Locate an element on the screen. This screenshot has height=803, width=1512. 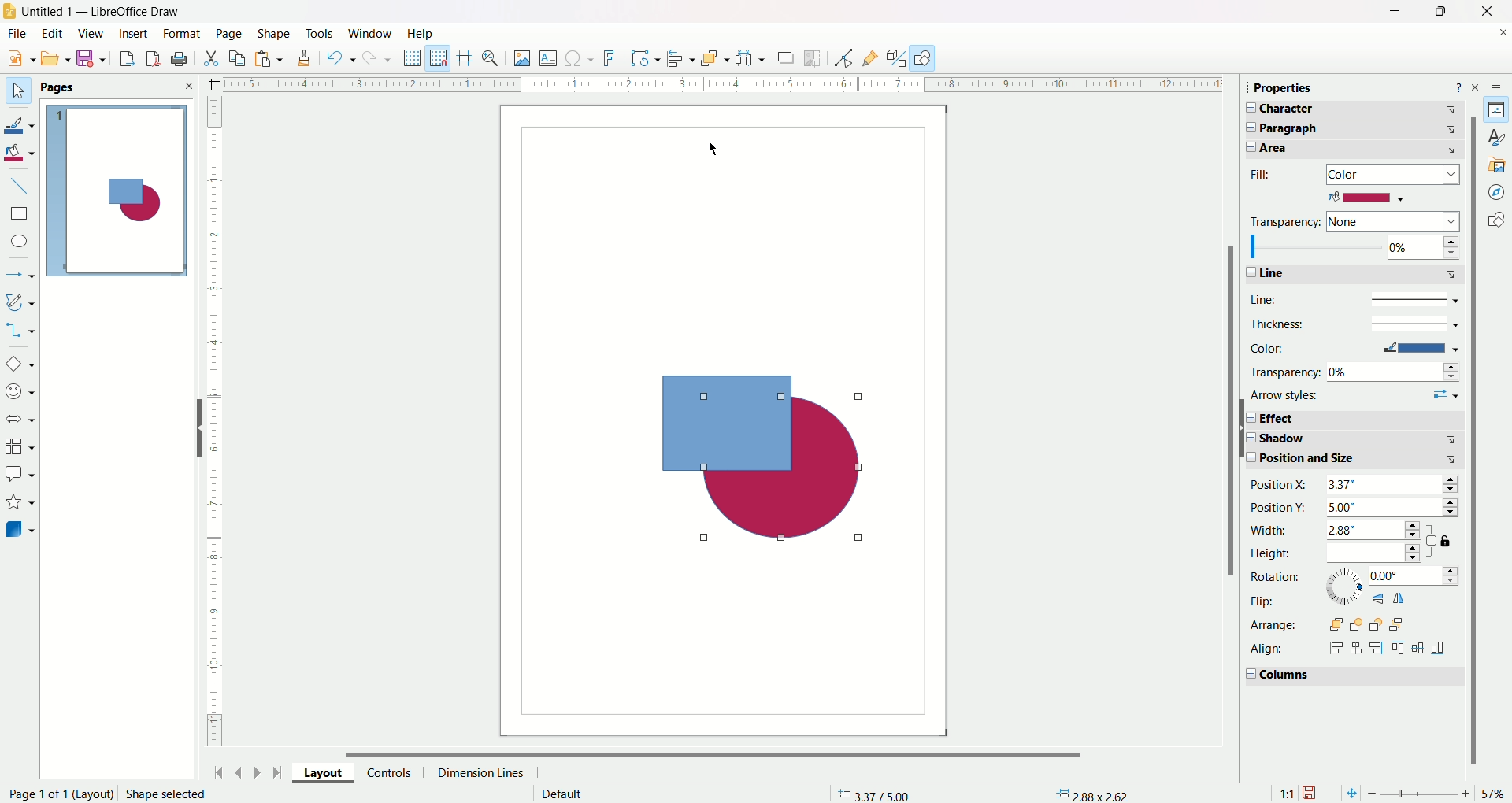
transformation is located at coordinates (647, 57).